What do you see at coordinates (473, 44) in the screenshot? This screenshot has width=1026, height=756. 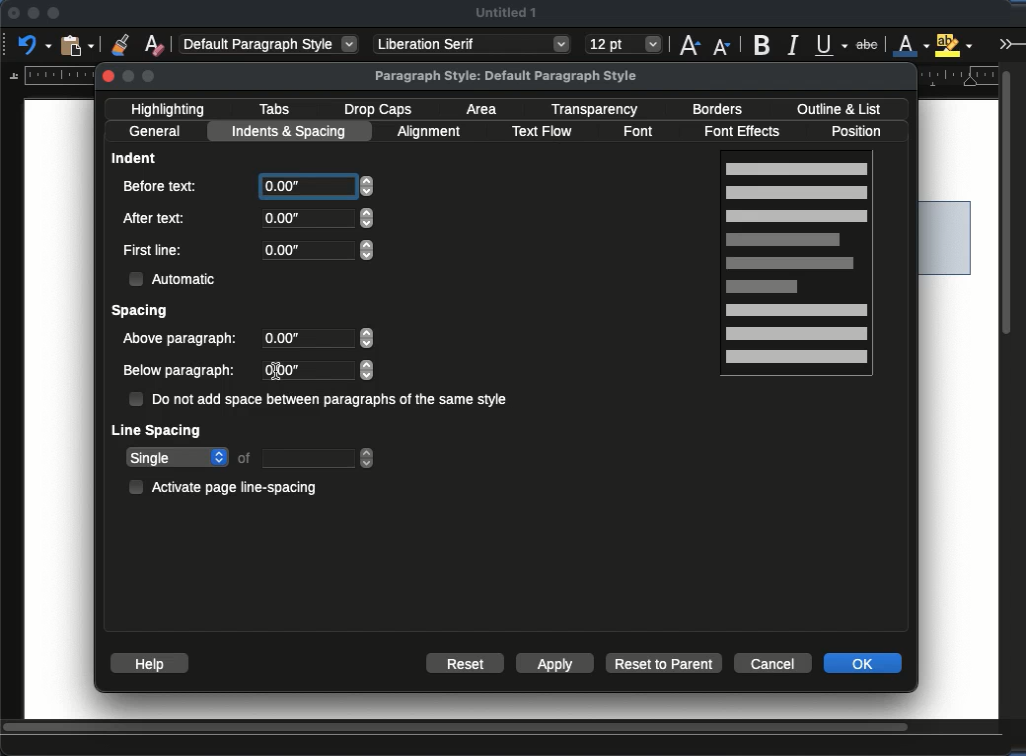 I see `Liberation serif - font` at bounding box center [473, 44].